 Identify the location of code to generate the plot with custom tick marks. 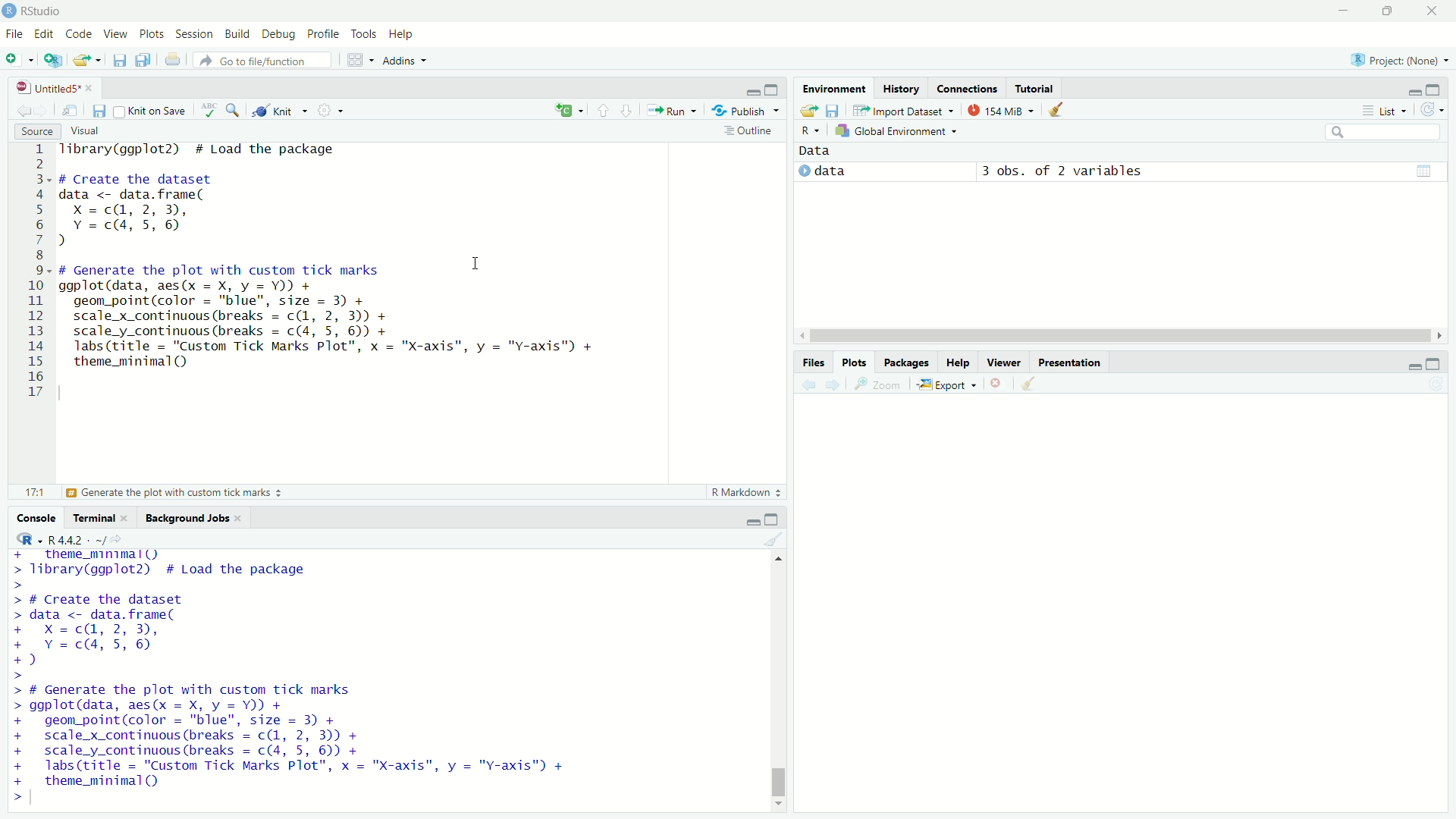
(338, 322).